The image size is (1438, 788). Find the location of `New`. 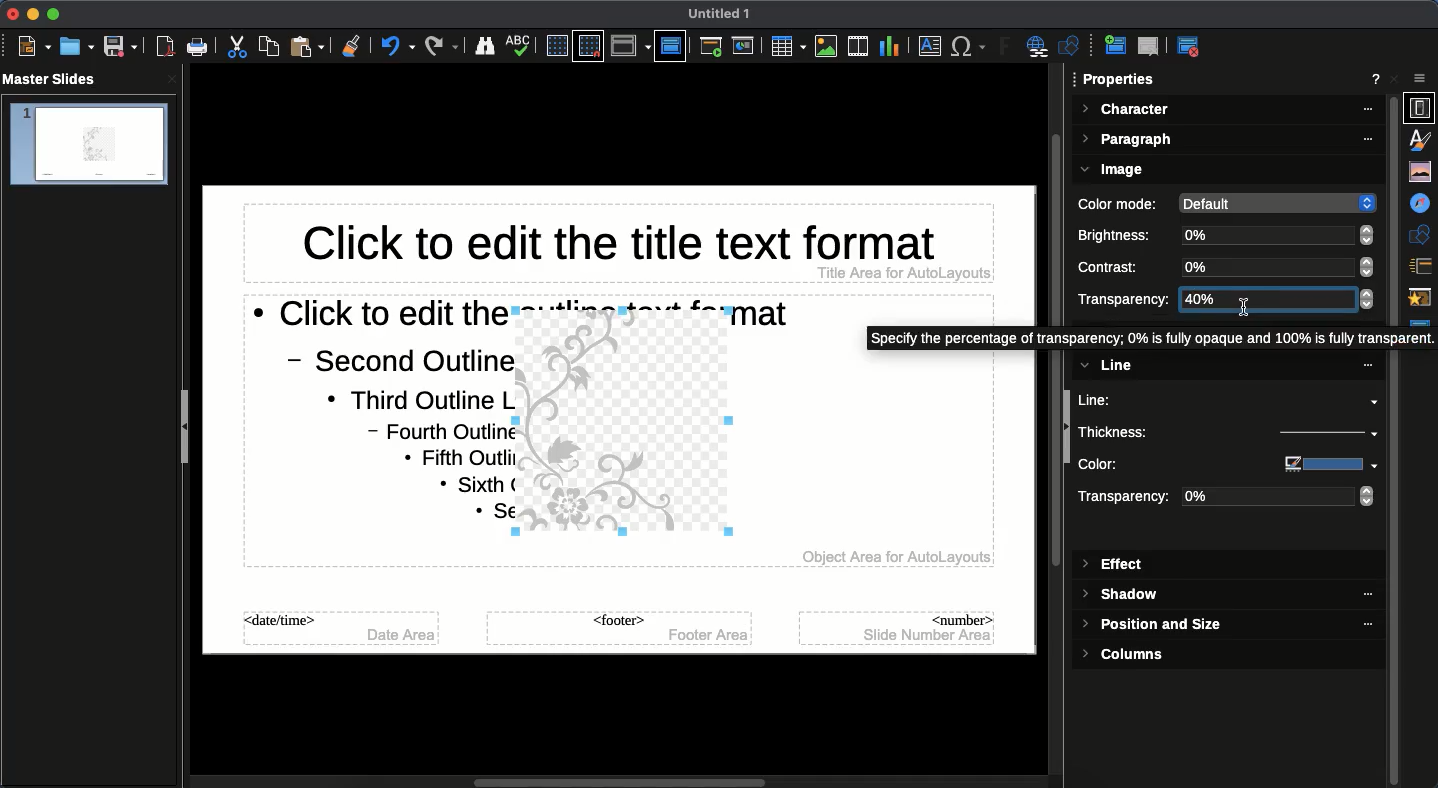

New is located at coordinates (34, 47).